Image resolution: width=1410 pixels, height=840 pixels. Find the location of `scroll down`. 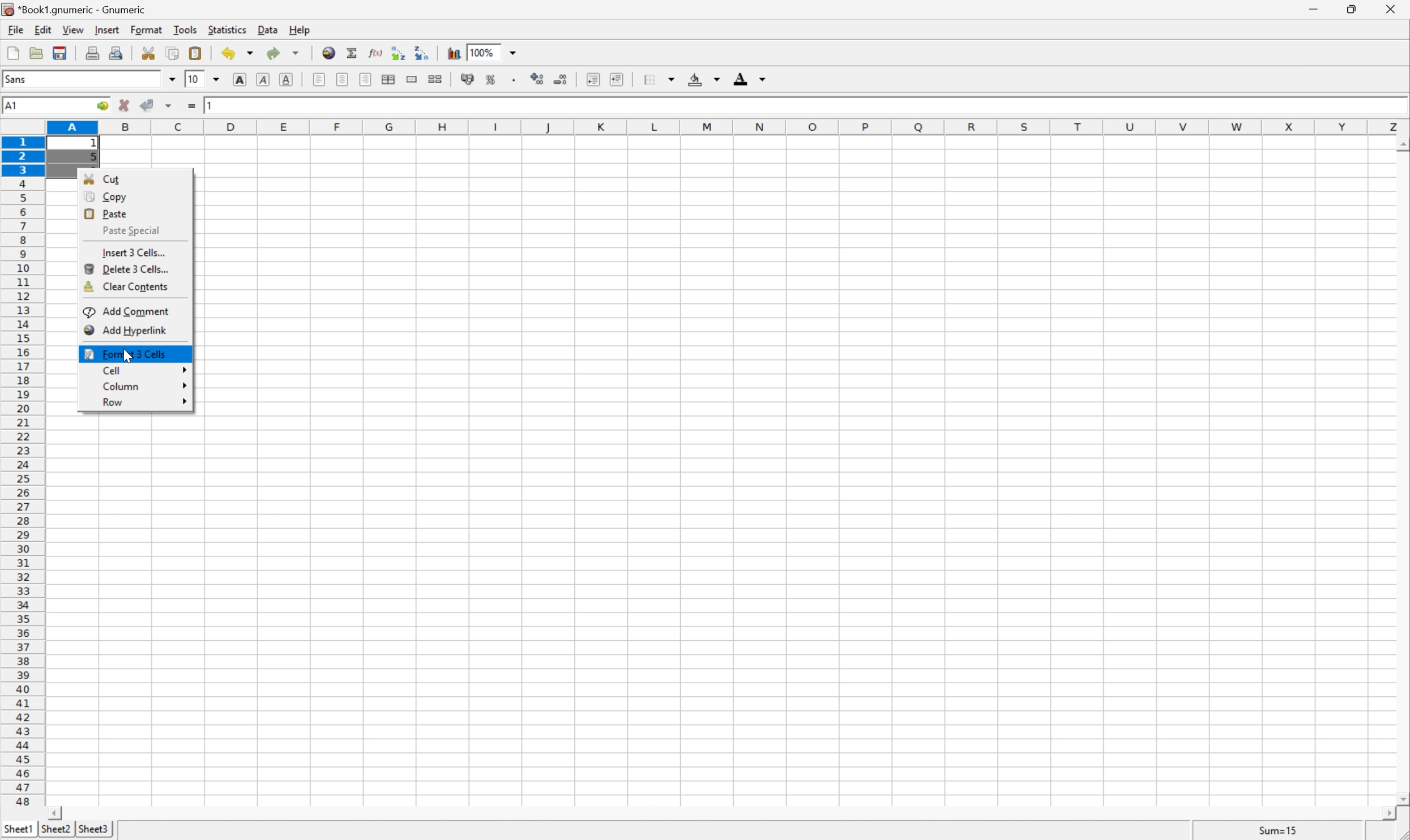

scroll down is located at coordinates (1401, 798).